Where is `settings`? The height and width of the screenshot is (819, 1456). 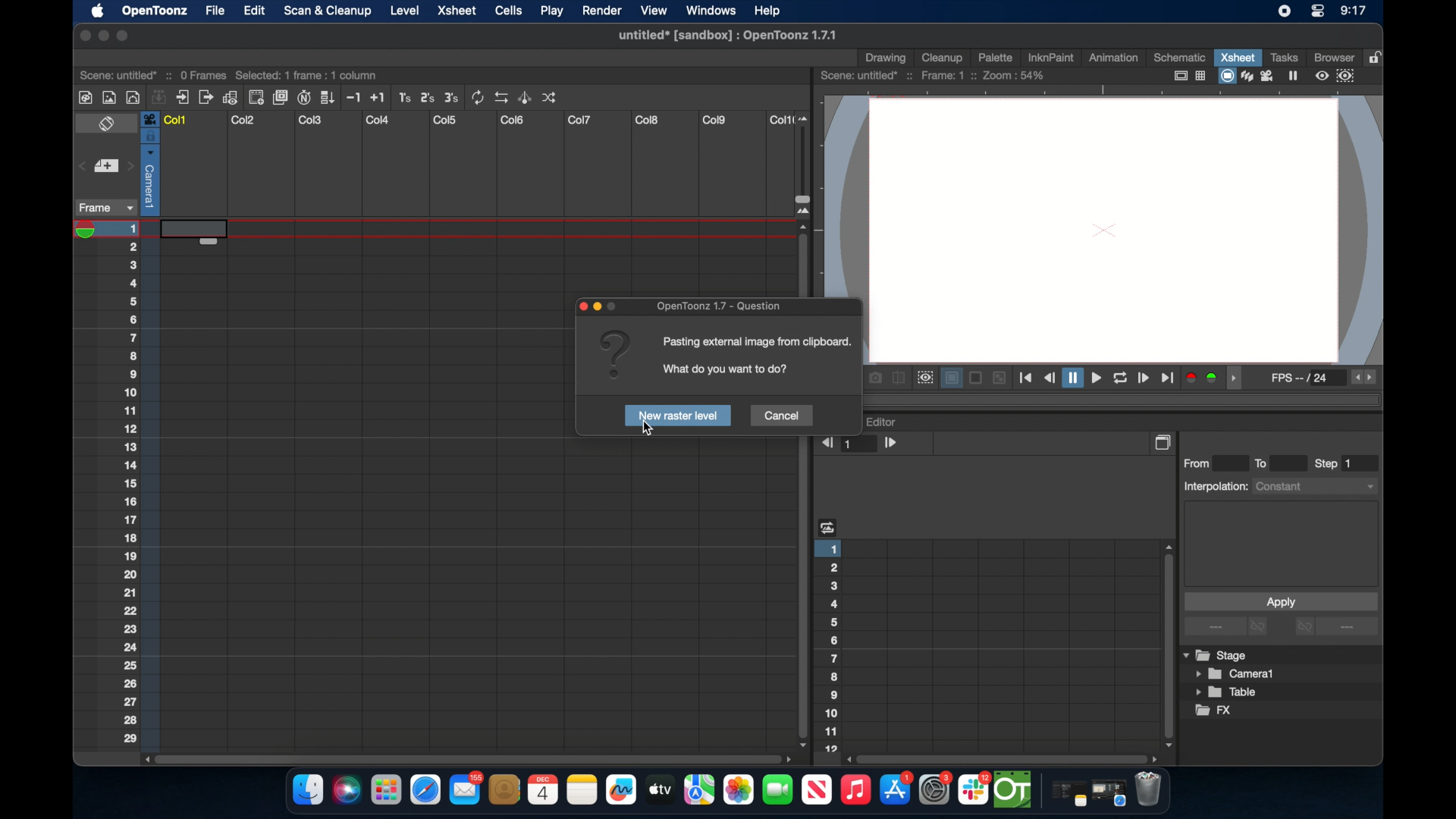
settings is located at coordinates (937, 789).